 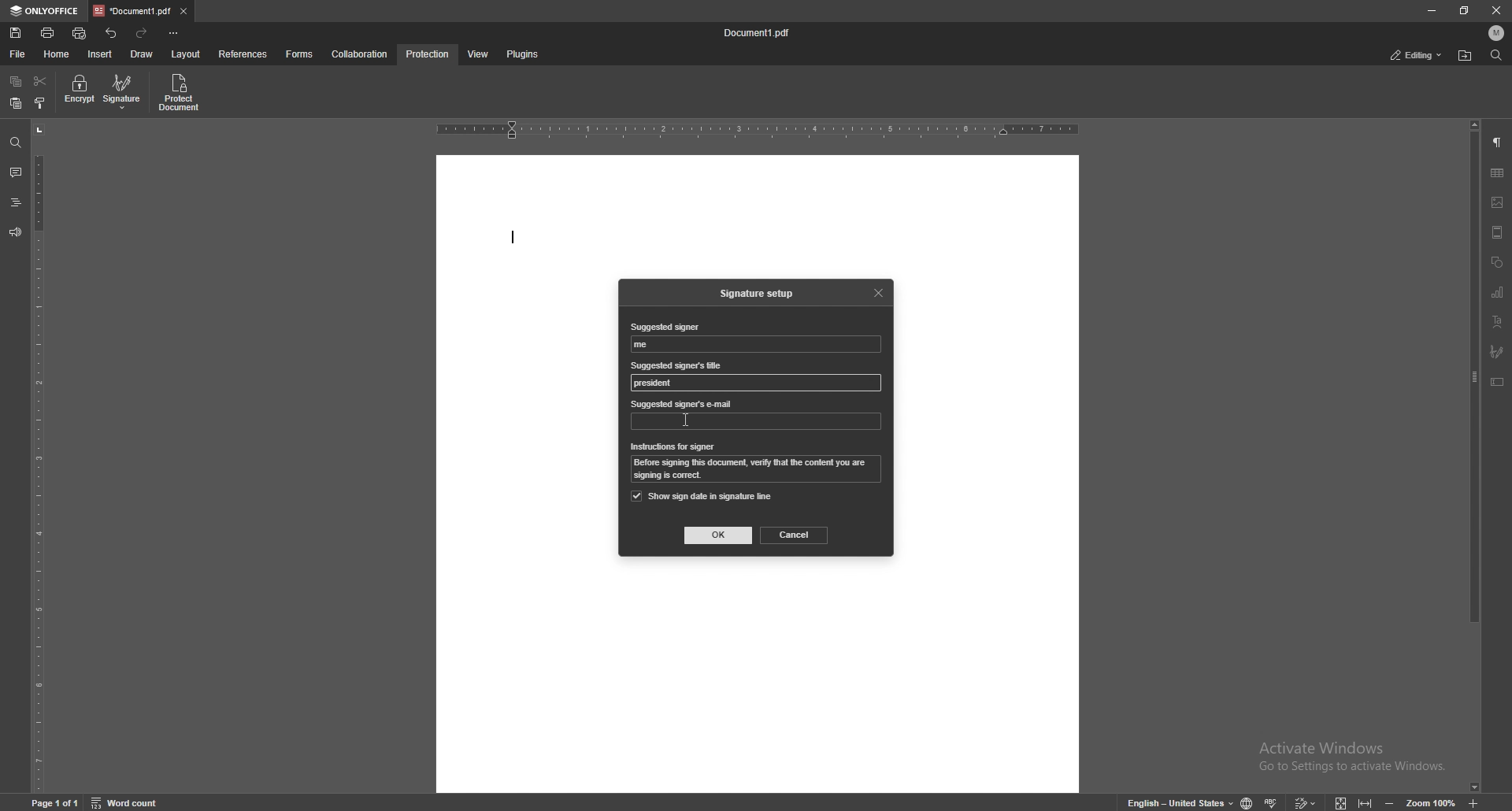 What do you see at coordinates (41, 103) in the screenshot?
I see `copy style` at bounding box center [41, 103].